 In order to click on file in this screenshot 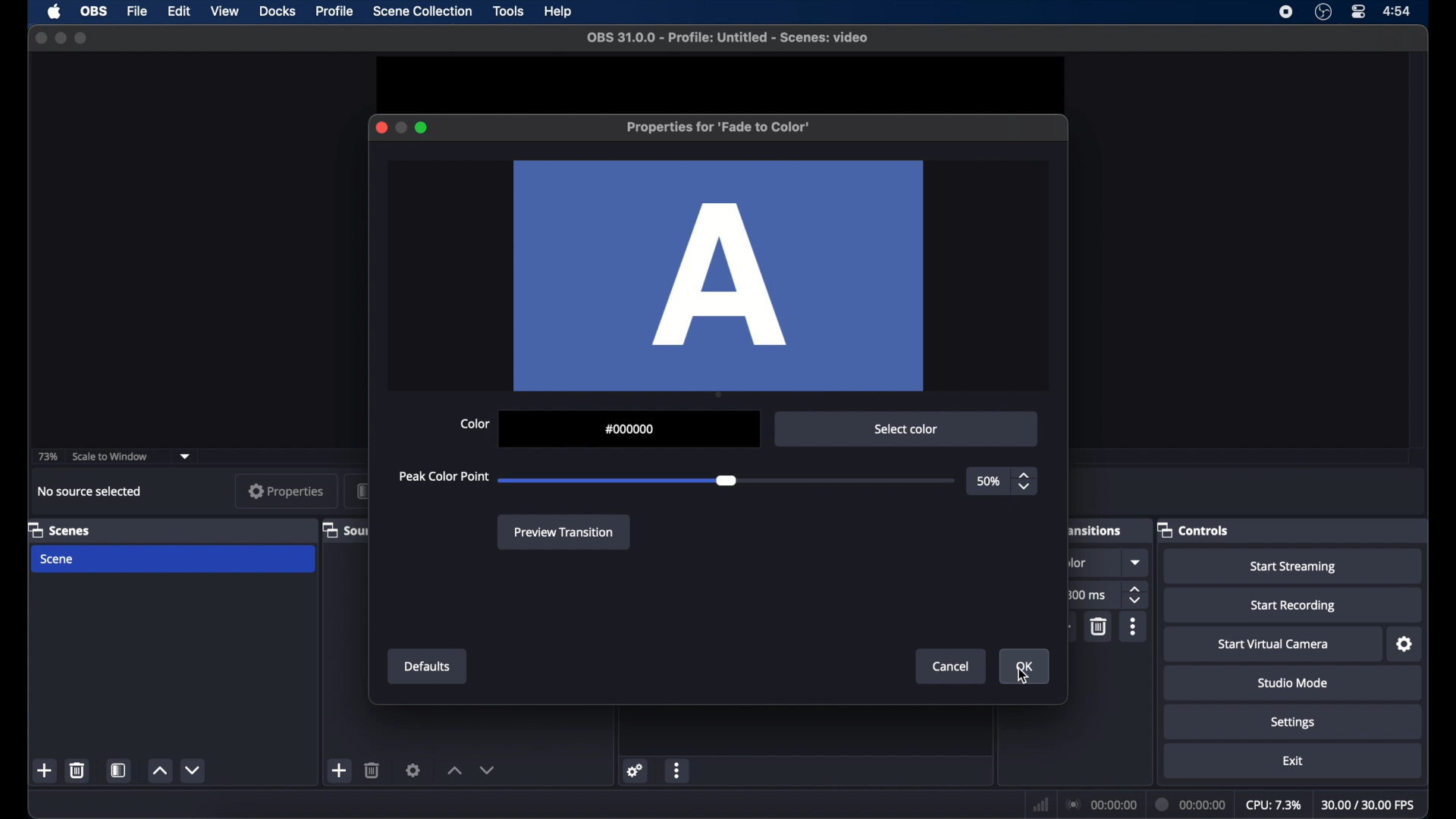, I will do `click(140, 11)`.